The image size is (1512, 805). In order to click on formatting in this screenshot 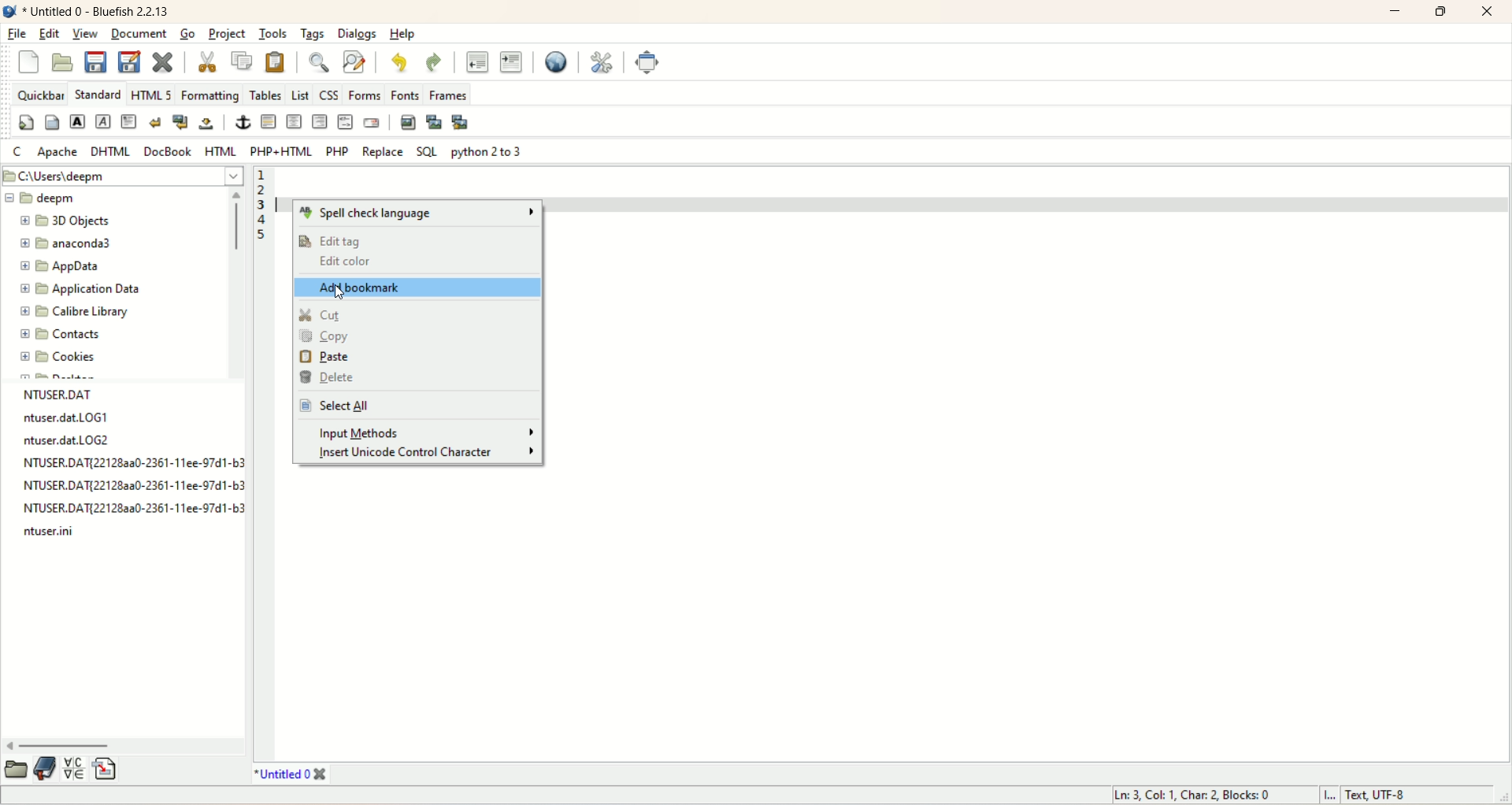, I will do `click(212, 95)`.